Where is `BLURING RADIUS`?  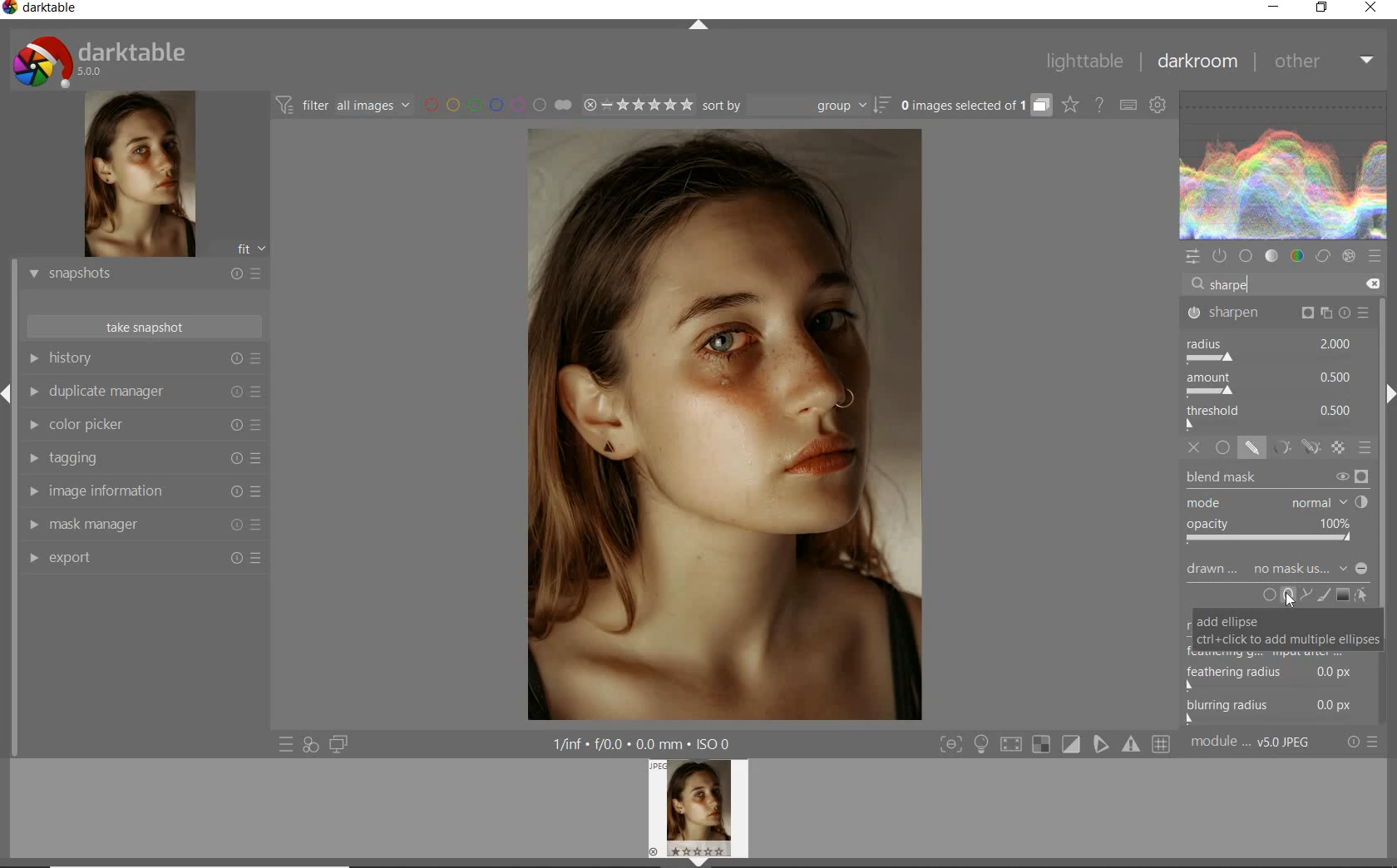 BLURING RADIUS is located at coordinates (1279, 708).